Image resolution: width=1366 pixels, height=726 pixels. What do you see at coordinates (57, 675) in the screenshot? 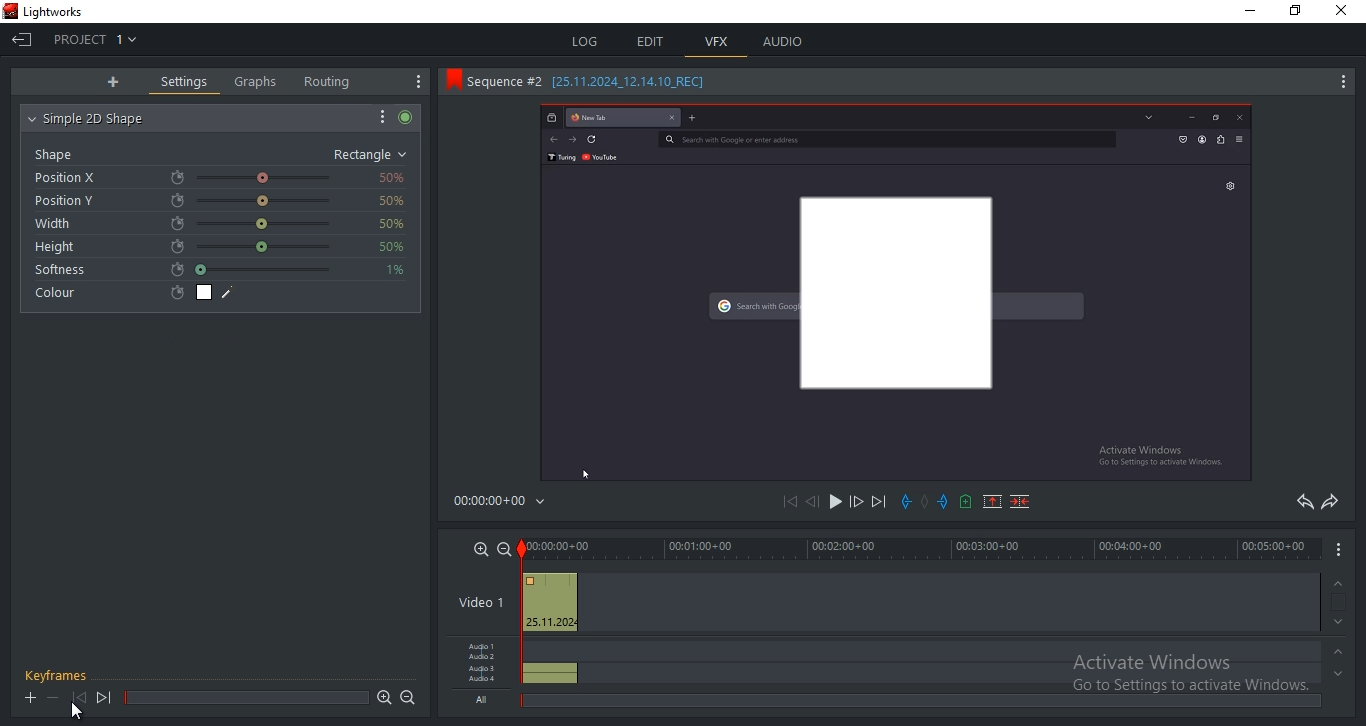
I see `keyframes` at bounding box center [57, 675].